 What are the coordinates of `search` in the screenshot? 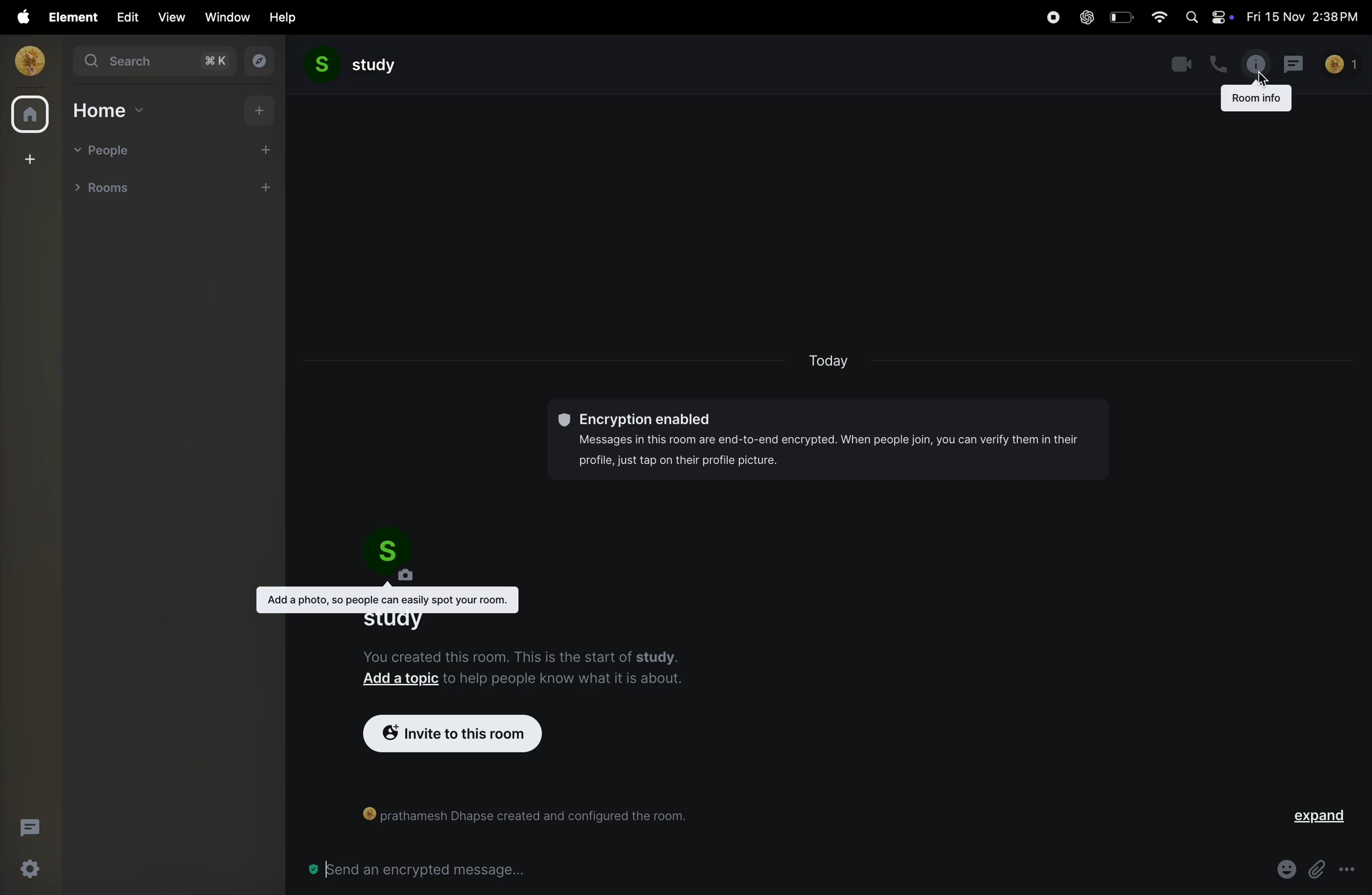 It's located at (153, 61).